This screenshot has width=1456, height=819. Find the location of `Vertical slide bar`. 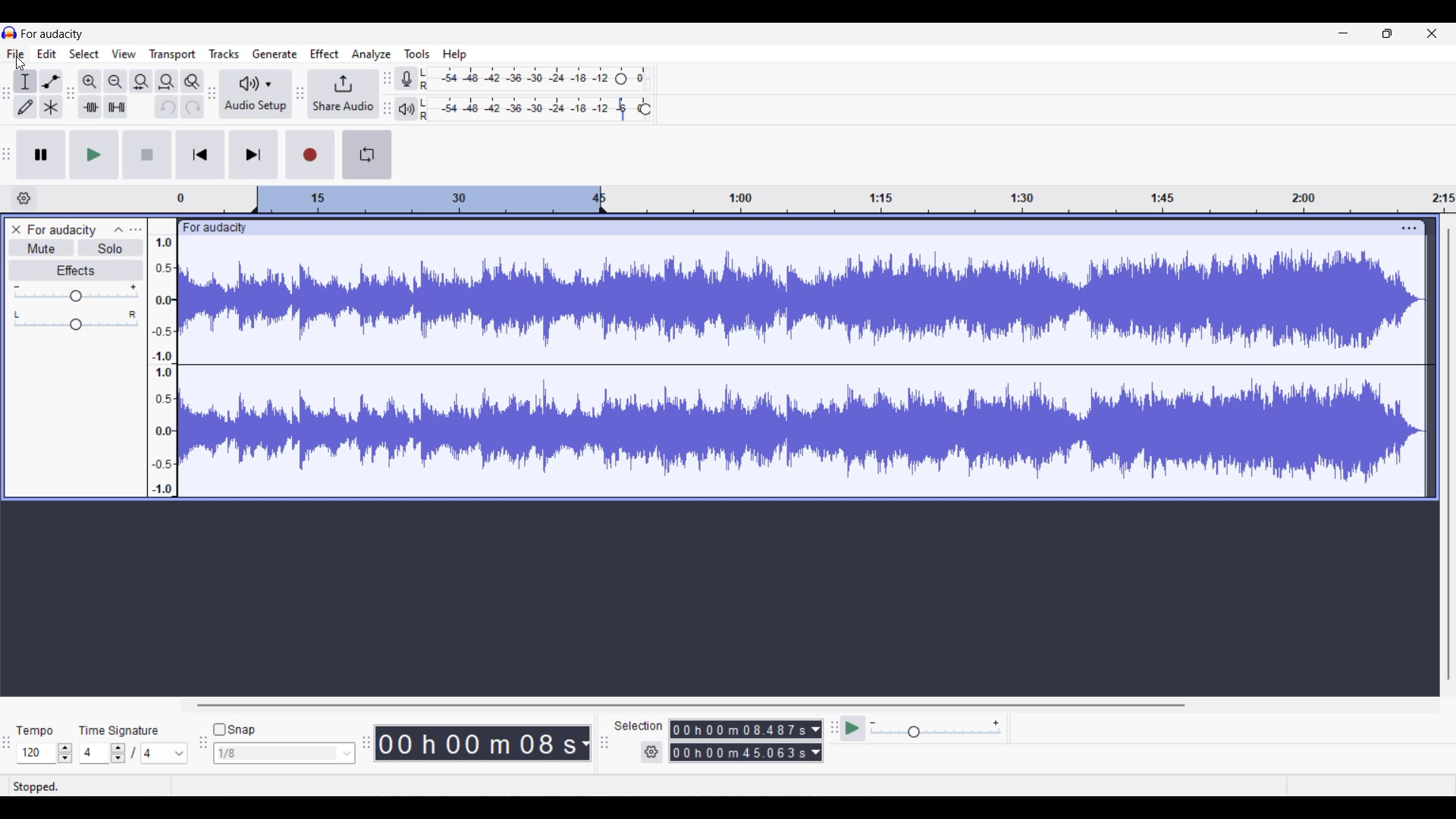

Vertical slide bar is located at coordinates (1449, 454).